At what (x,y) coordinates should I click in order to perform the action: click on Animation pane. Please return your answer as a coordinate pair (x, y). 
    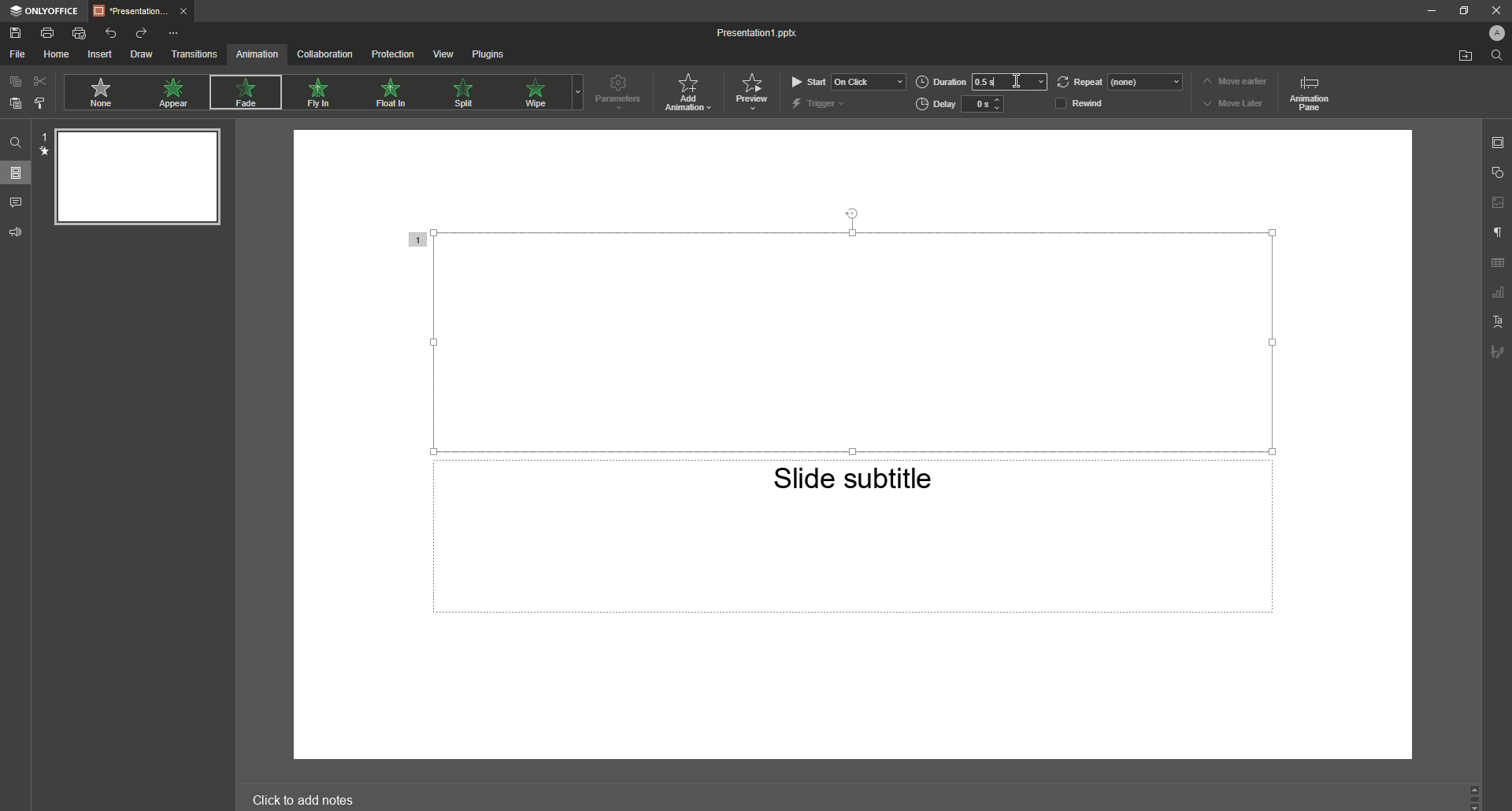
    Looking at the image, I should click on (1307, 92).